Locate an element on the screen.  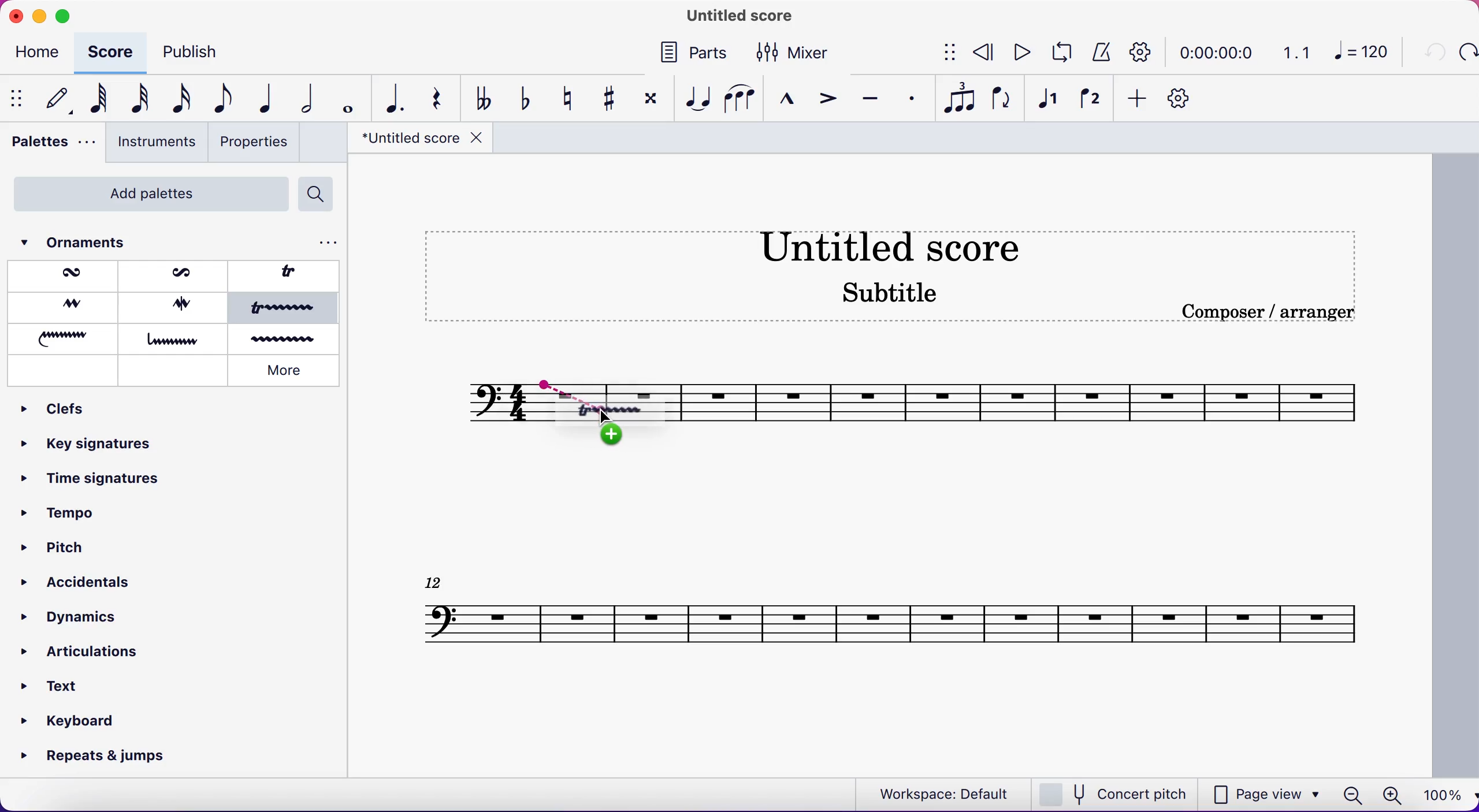
parts is located at coordinates (693, 55).